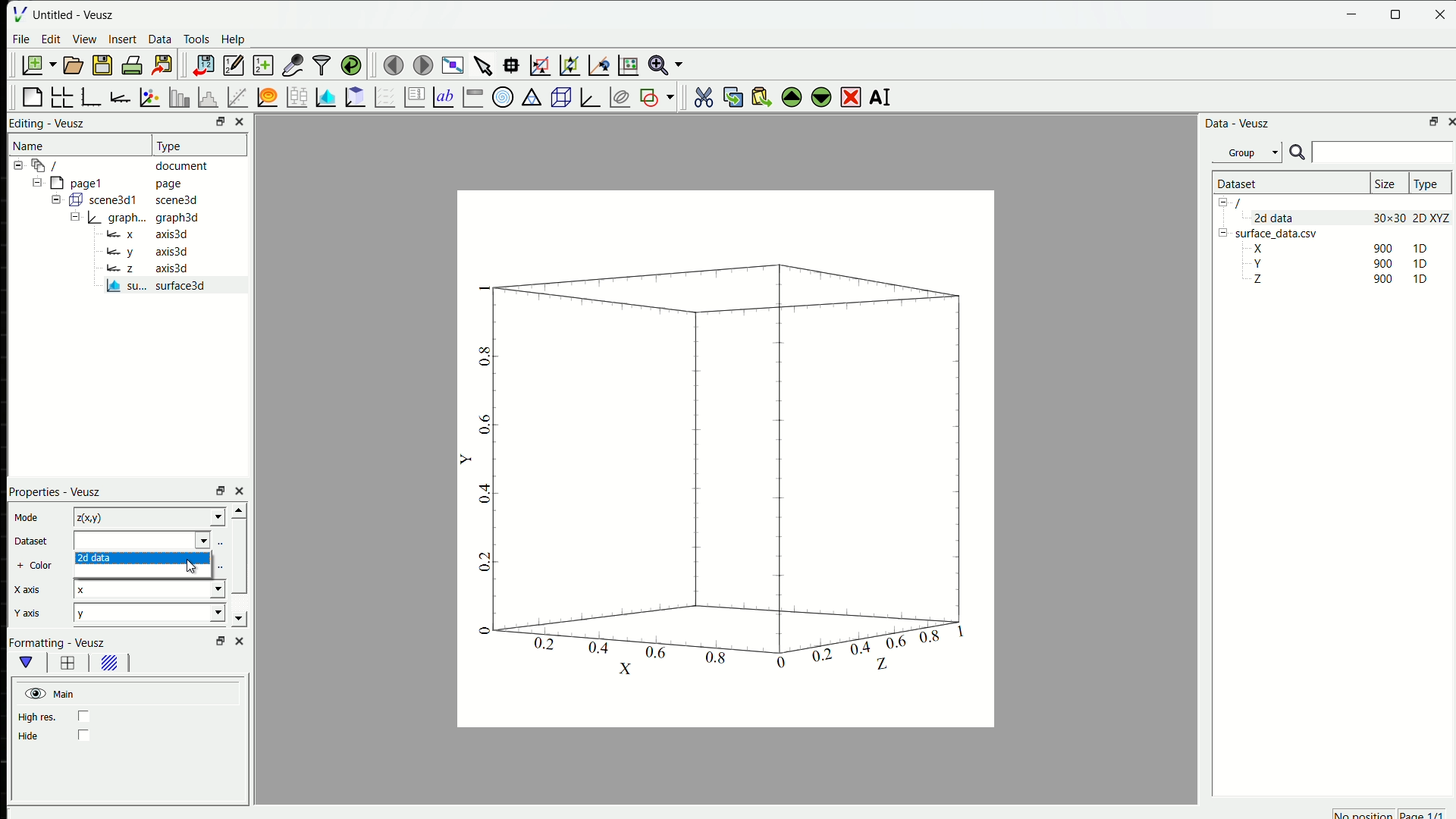 This screenshot has width=1456, height=819. Describe the element at coordinates (356, 96) in the screenshot. I see `plot a 2D dataset as contours` at that location.